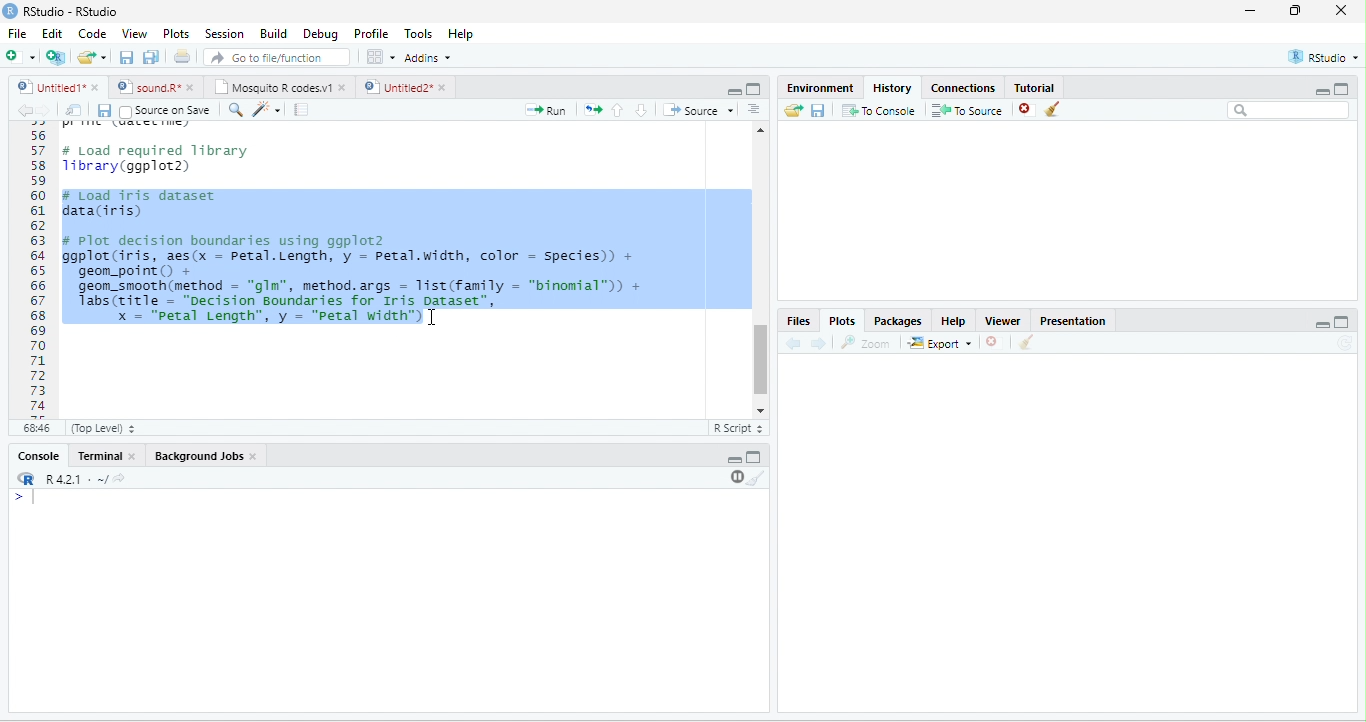  Describe the element at coordinates (1296, 10) in the screenshot. I see `resize` at that location.